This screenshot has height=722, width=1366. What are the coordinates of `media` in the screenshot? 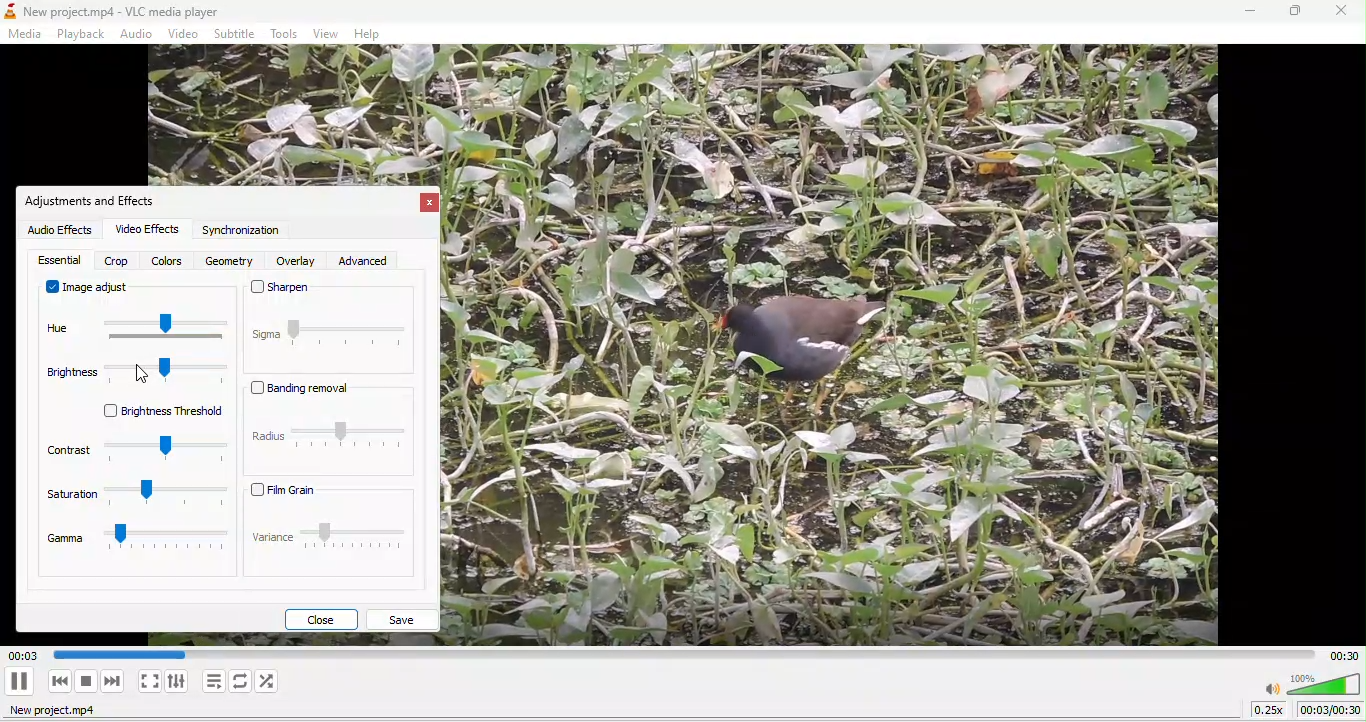 It's located at (28, 34).